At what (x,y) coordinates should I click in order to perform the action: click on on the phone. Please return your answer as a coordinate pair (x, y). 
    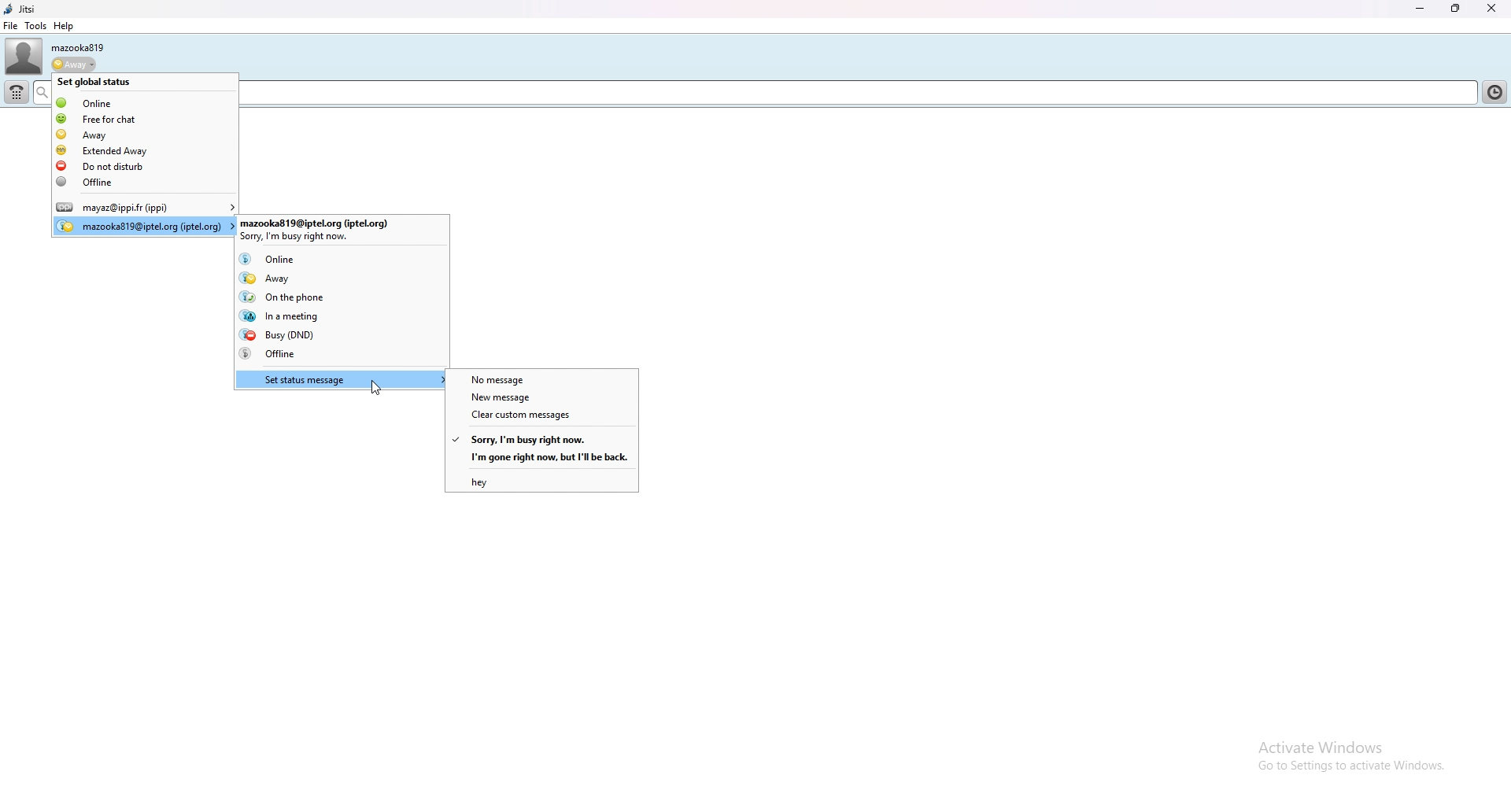
    Looking at the image, I should click on (337, 296).